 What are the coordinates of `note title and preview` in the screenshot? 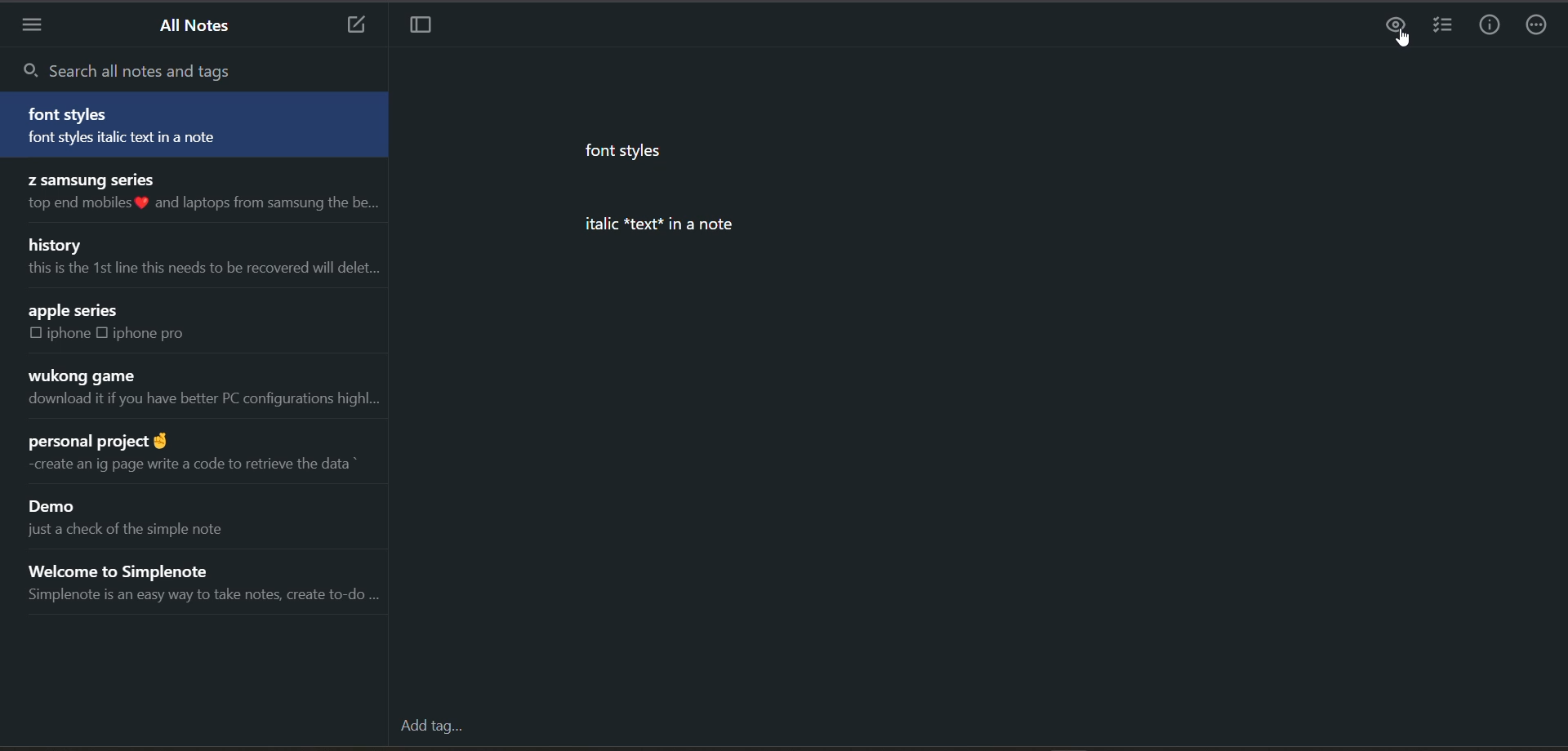 It's located at (195, 124).